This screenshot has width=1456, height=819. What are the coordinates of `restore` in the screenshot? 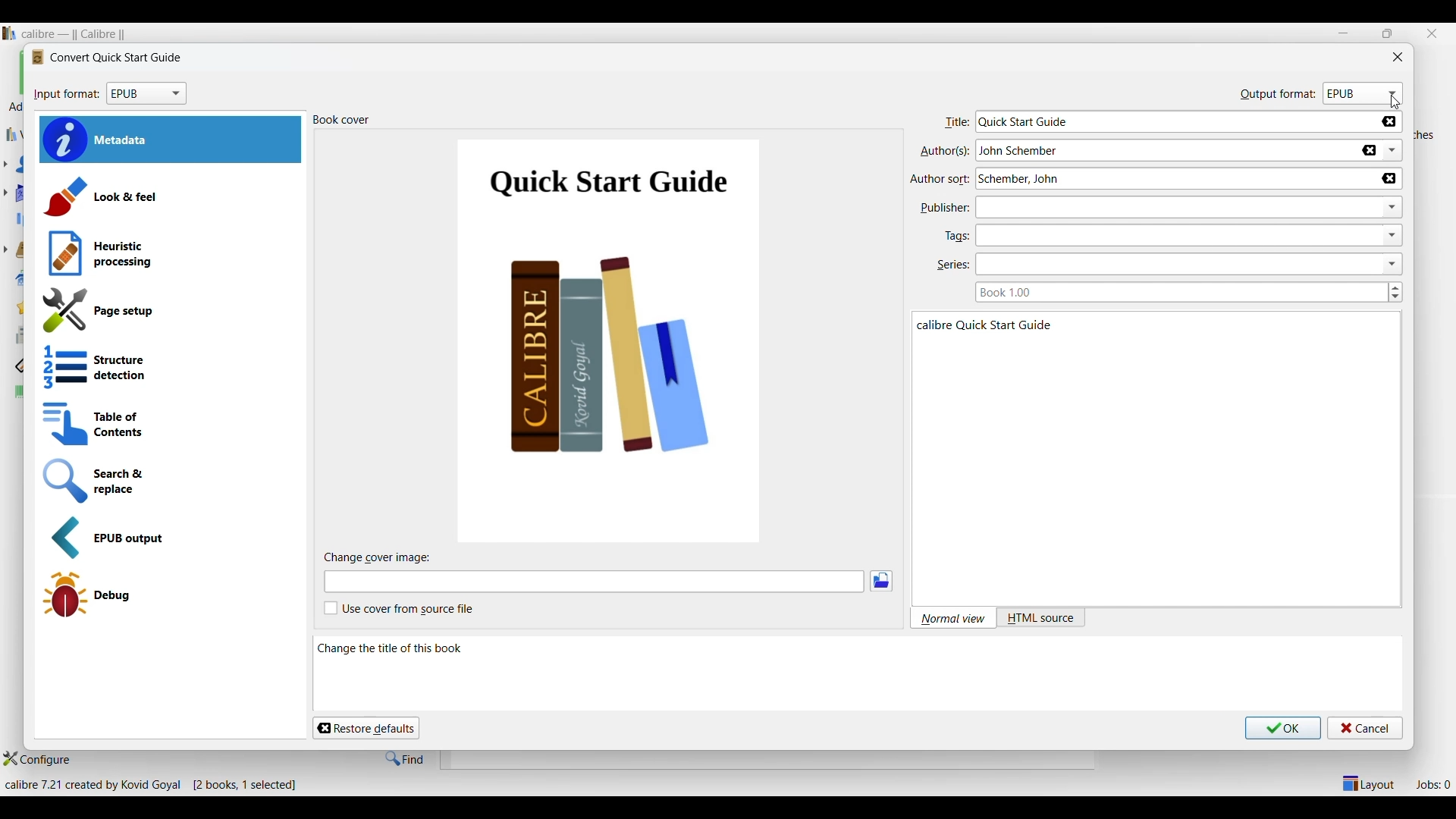 It's located at (1386, 33).